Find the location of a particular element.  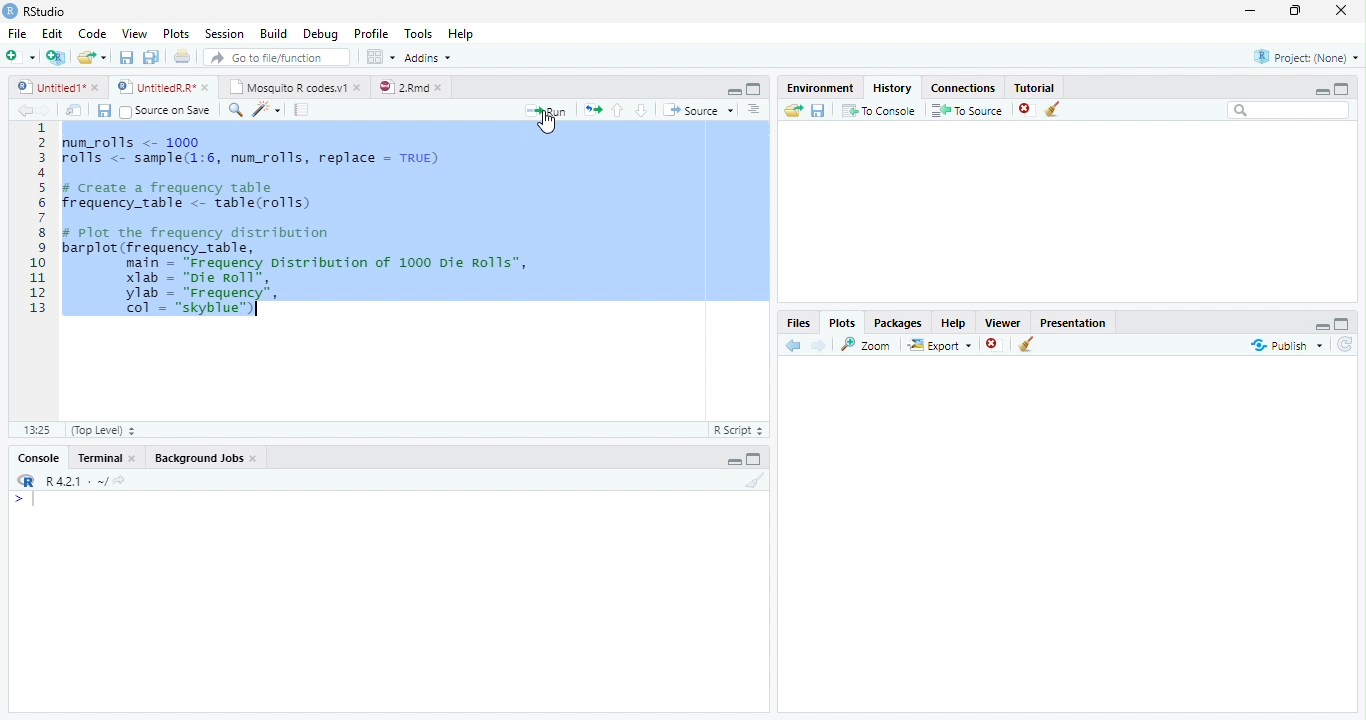

©) 28md is located at coordinates (410, 87).